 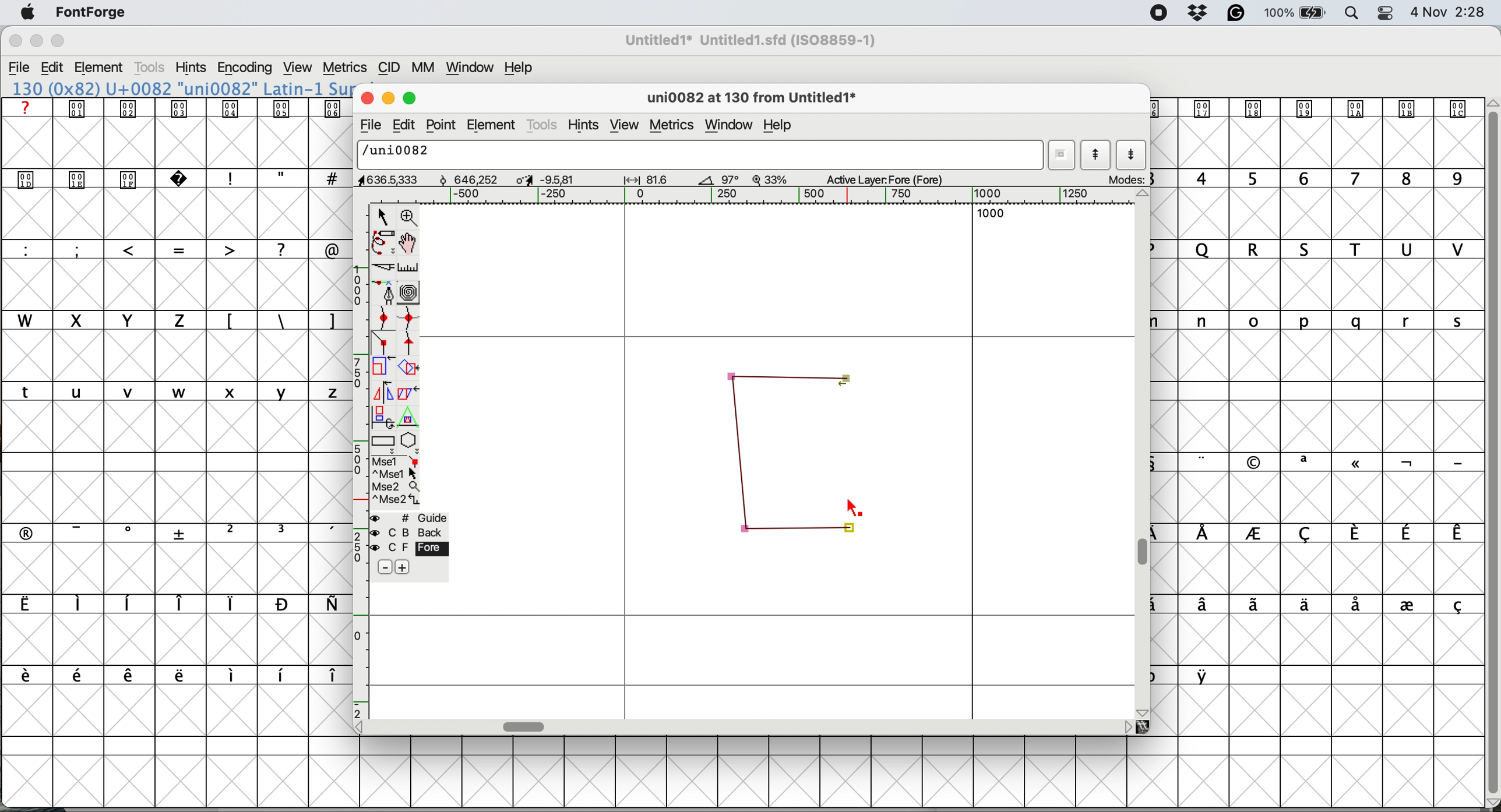 I want to click on system logo, so click(x=28, y=13).